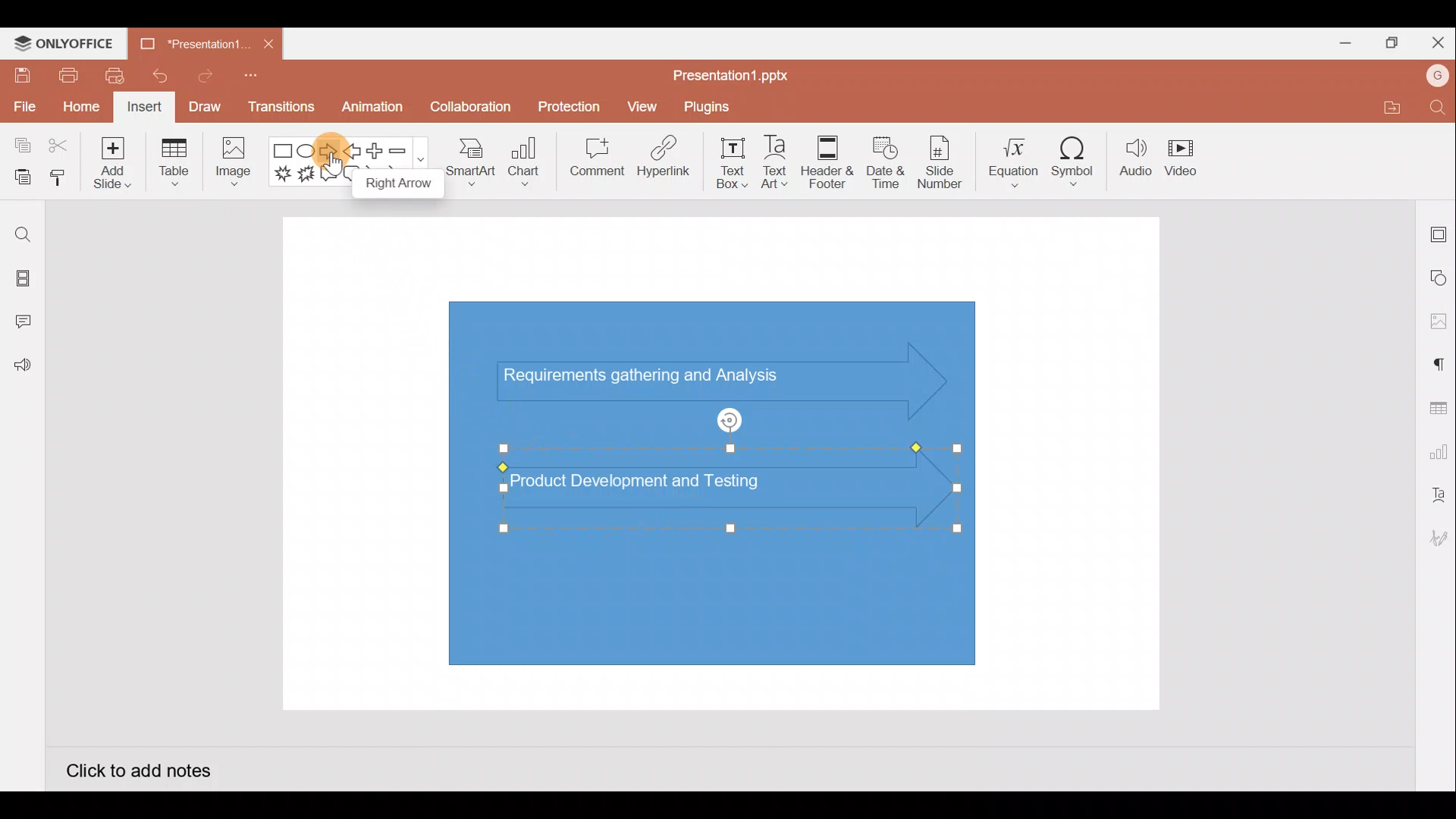 This screenshot has height=819, width=1456. I want to click on Print file, so click(67, 74).